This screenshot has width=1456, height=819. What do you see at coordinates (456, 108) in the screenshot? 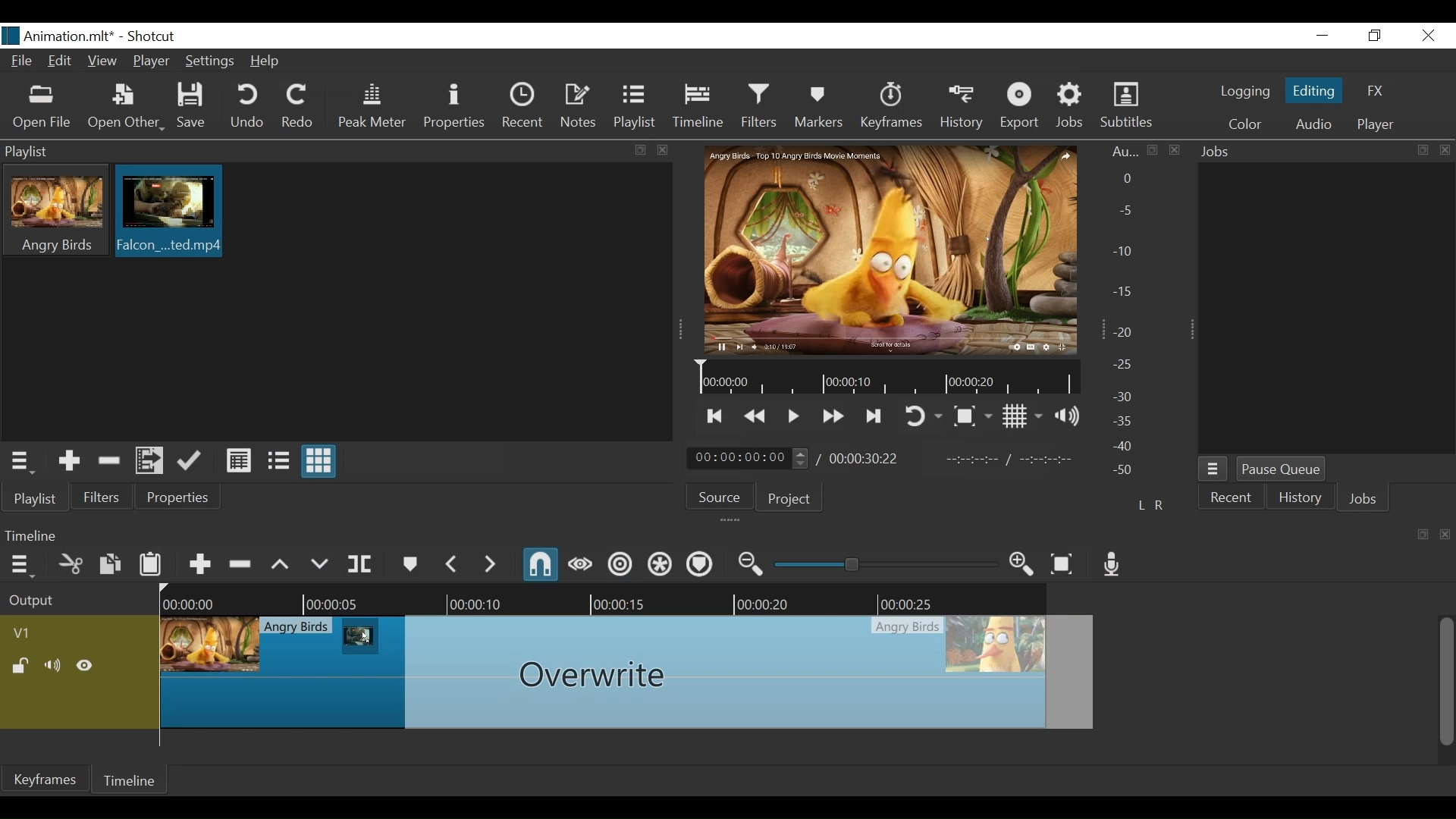
I see `Properties` at bounding box center [456, 108].